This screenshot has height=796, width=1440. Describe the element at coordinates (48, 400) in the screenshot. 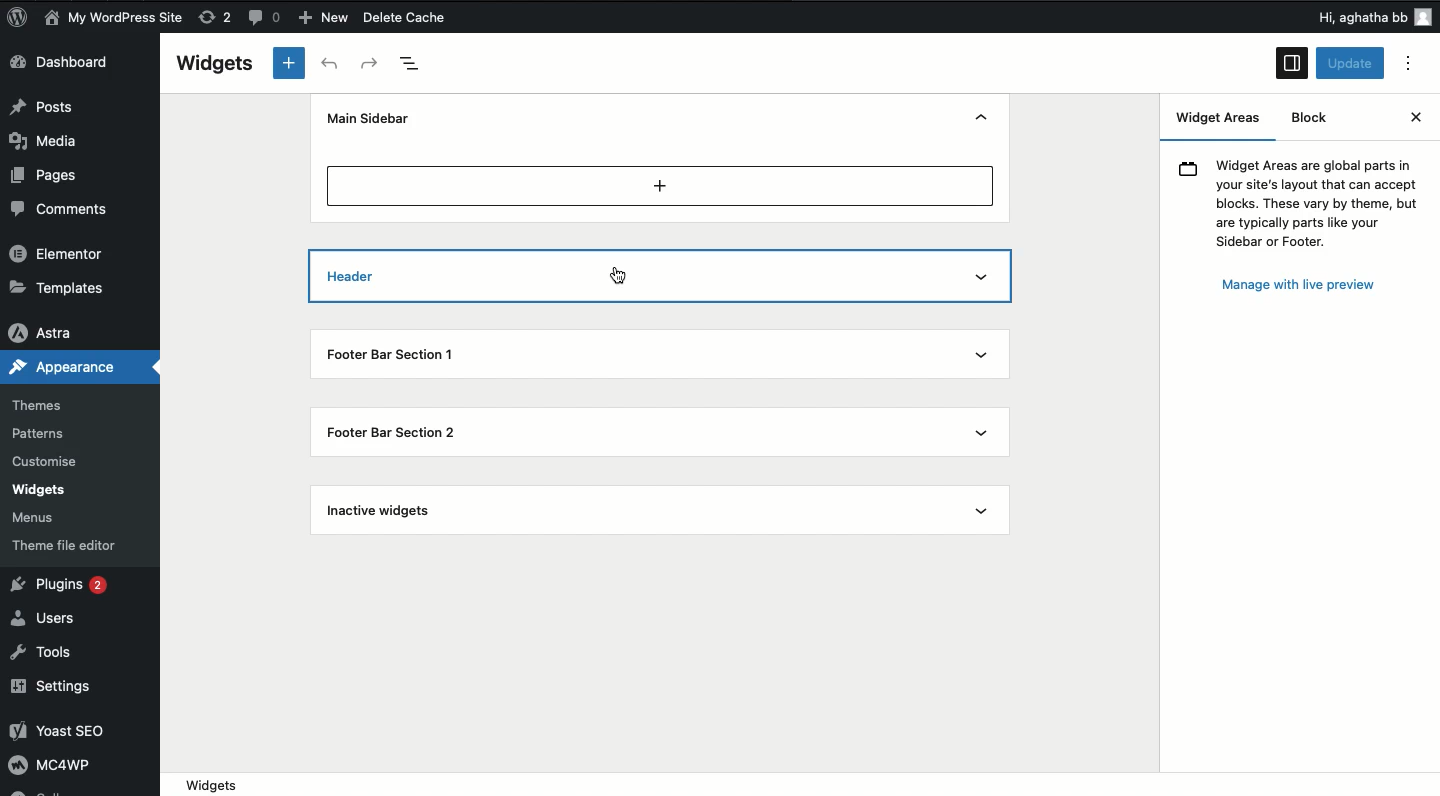

I see `Themes` at that location.